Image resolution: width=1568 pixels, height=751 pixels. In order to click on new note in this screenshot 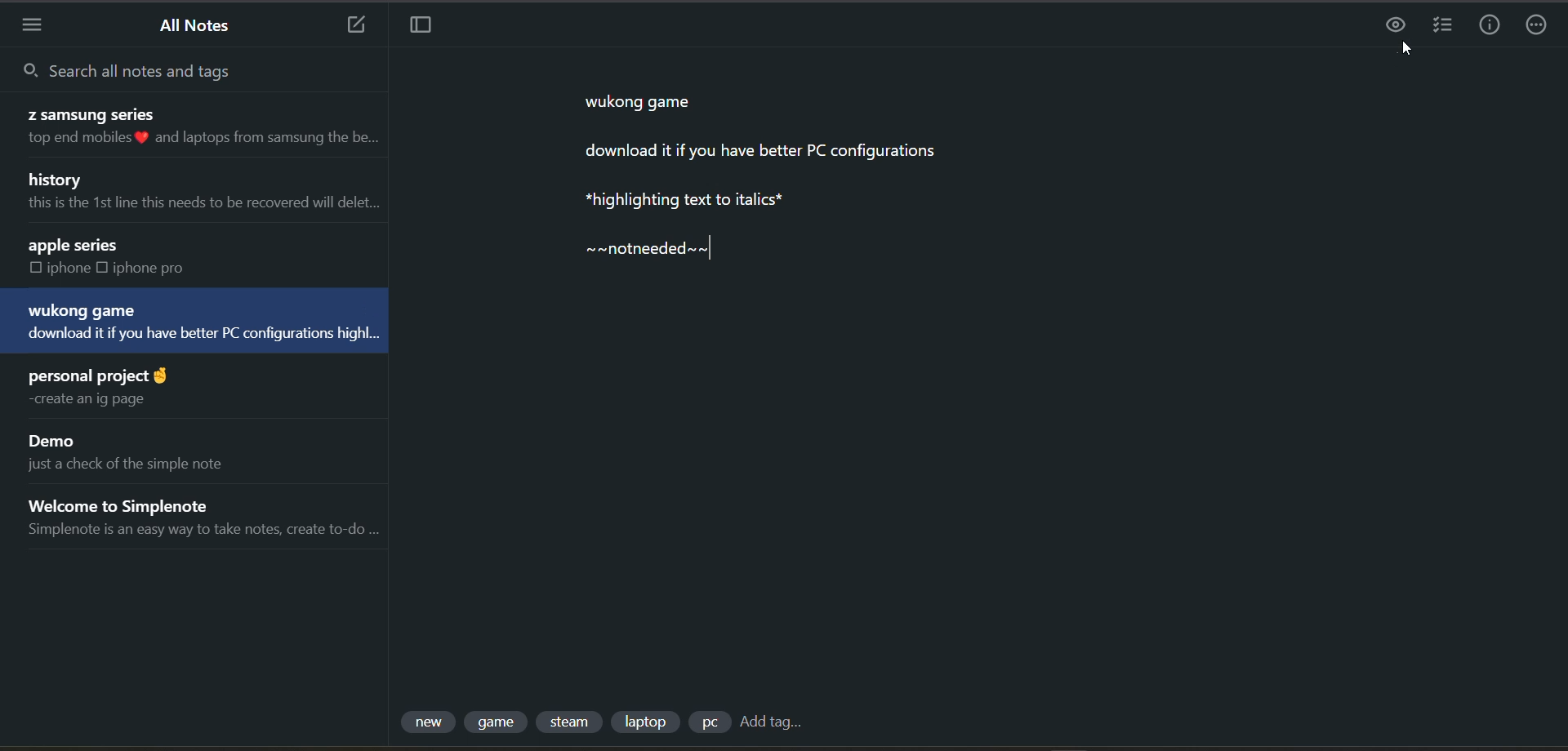, I will do `click(352, 25)`.